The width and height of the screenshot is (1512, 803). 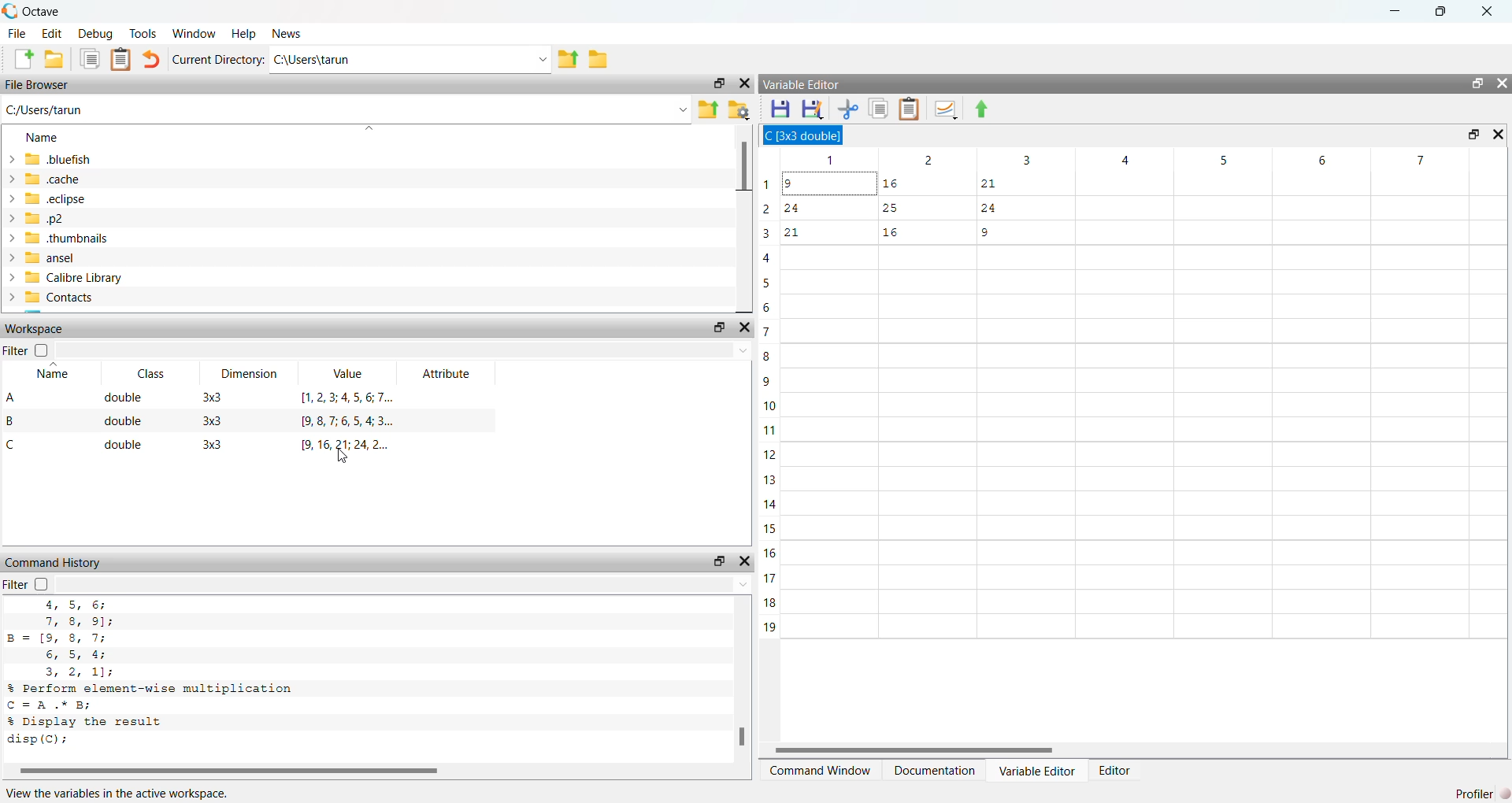 What do you see at coordinates (1128, 157) in the screenshot?
I see `Columns` at bounding box center [1128, 157].